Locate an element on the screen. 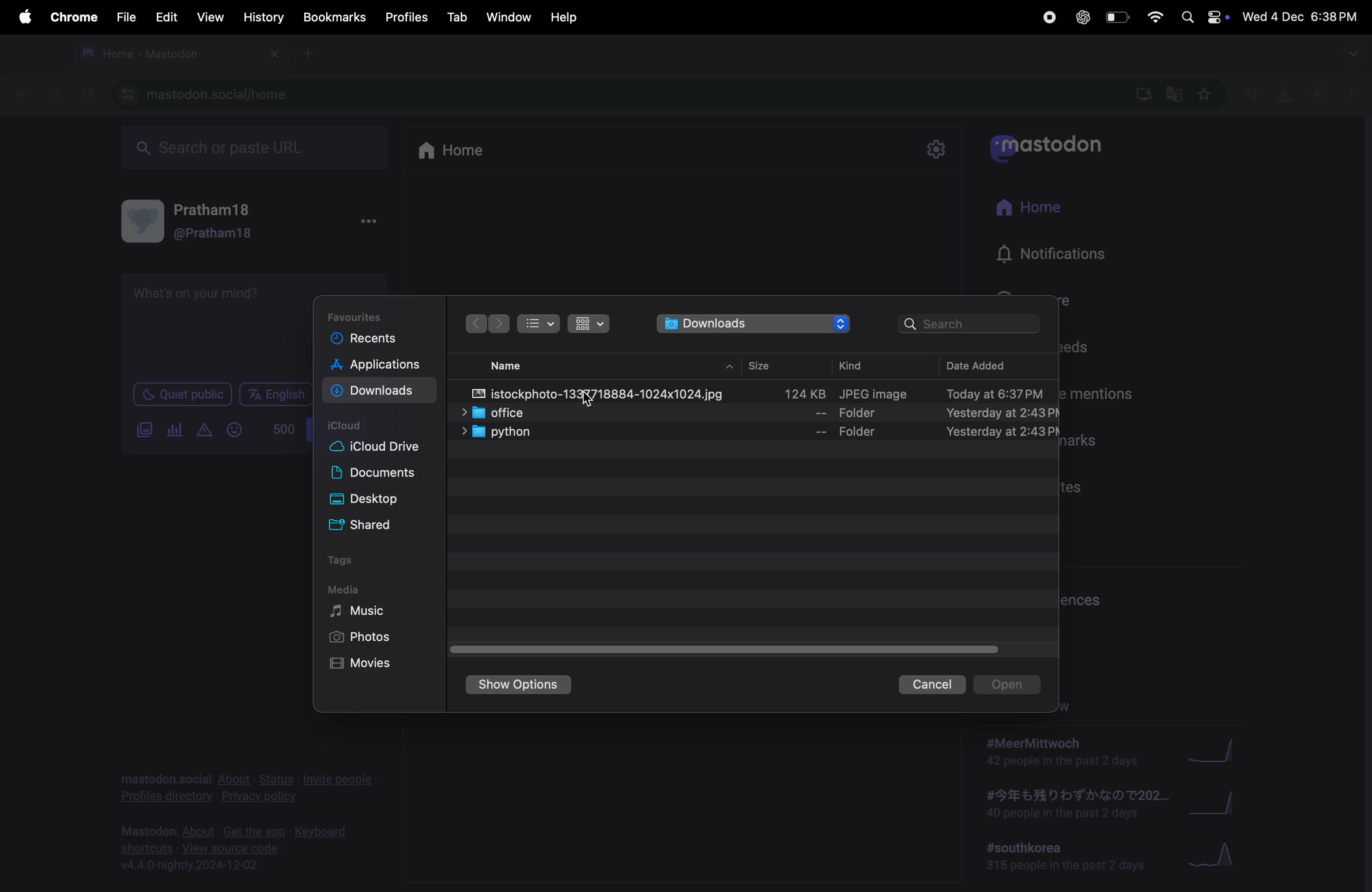  #south korea is located at coordinates (1062, 858).